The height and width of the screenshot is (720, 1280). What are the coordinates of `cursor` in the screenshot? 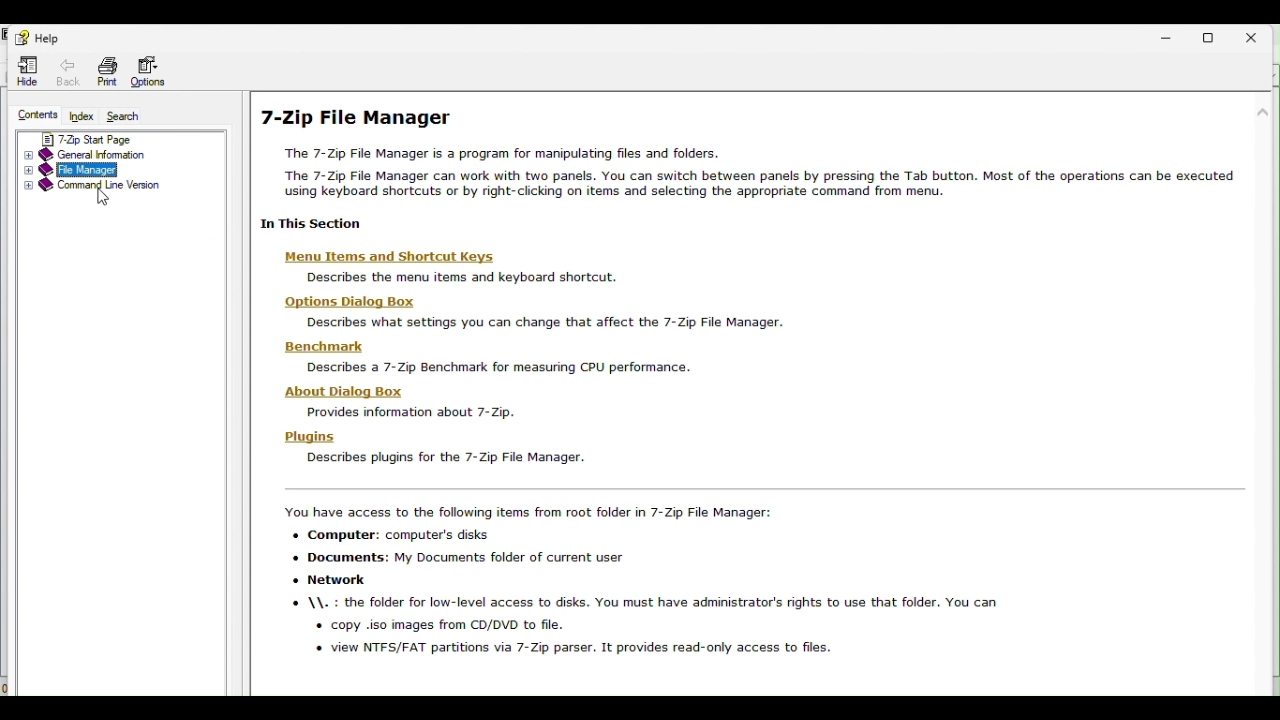 It's located at (107, 197).